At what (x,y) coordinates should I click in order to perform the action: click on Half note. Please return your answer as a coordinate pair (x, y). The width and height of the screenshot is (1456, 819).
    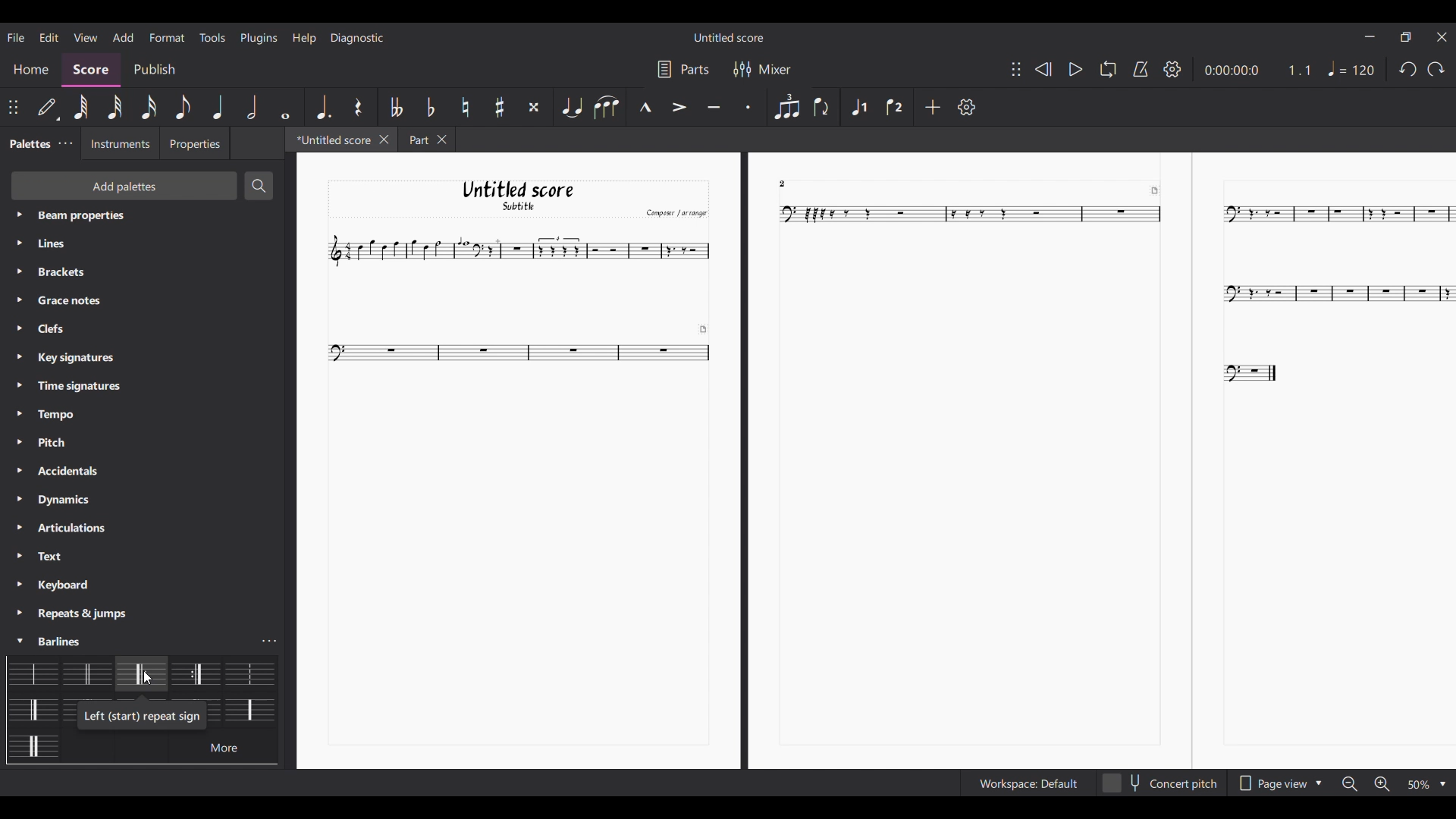
    Looking at the image, I should click on (252, 107).